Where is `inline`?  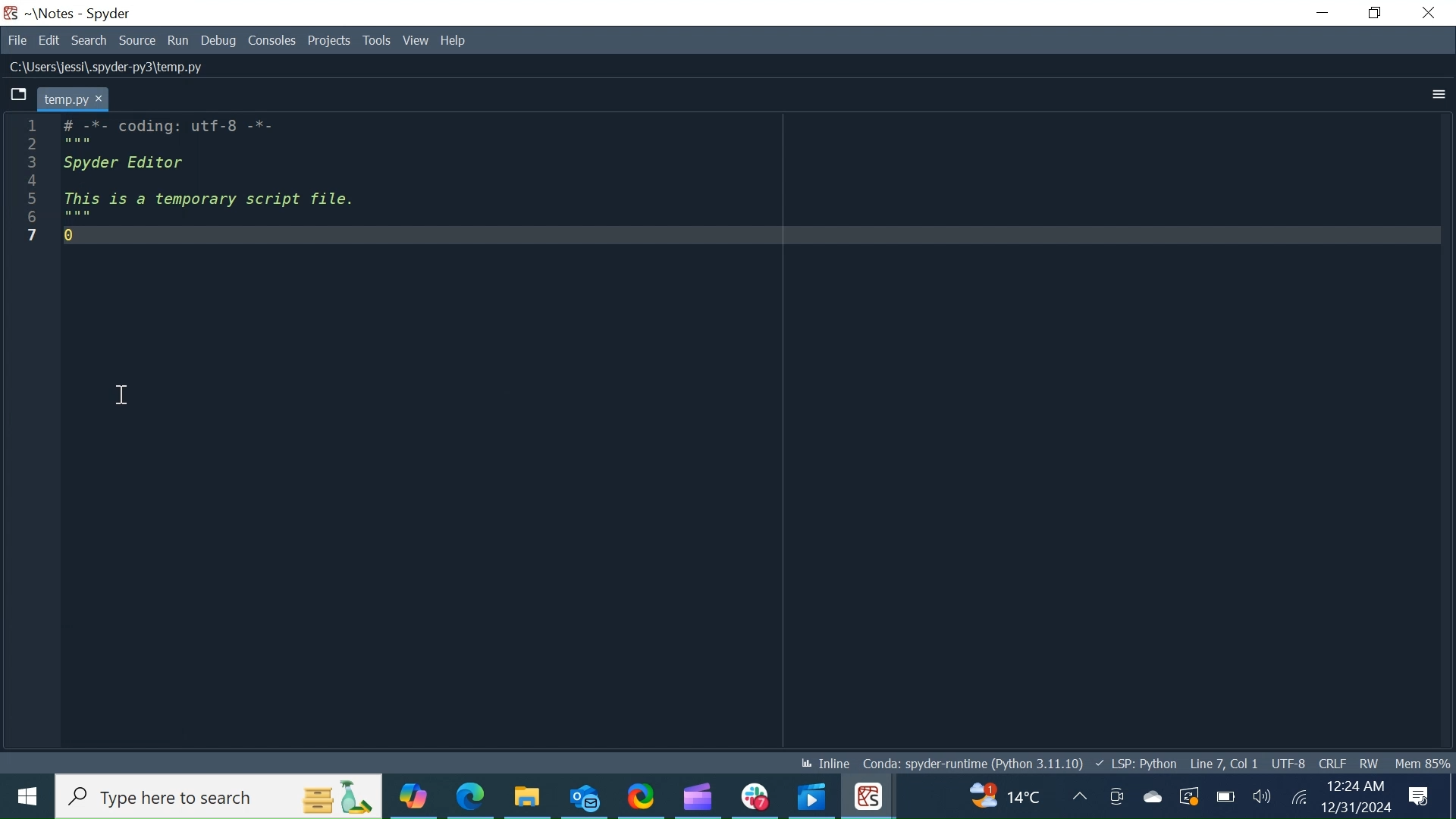 inline is located at coordinates (826, 762).